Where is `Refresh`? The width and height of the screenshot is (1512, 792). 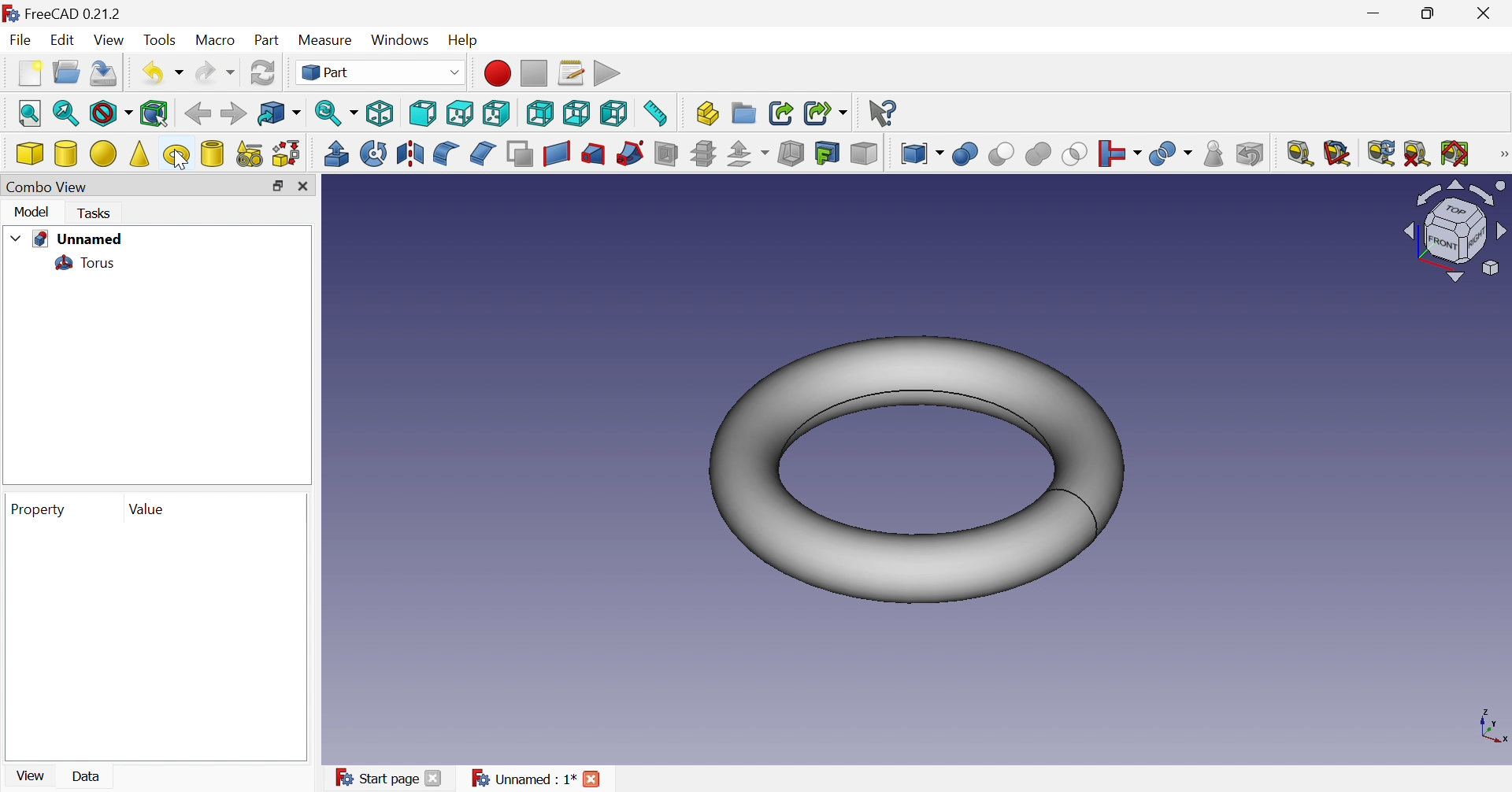 Refresh is located at coordinates (1383, 153).